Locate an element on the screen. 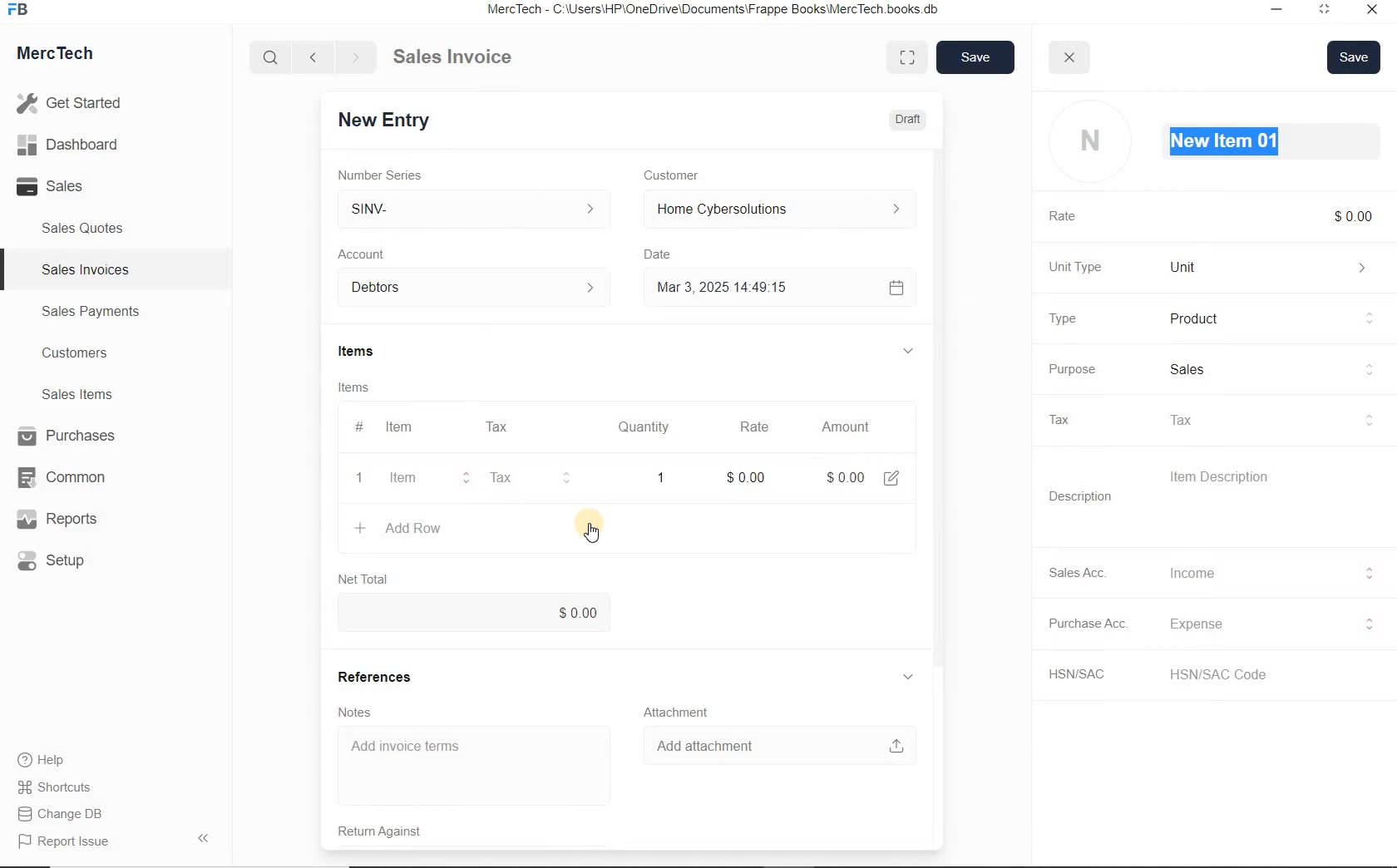 This screenshot has height=868, width=1397. Item is located at coordinates (401, 427).